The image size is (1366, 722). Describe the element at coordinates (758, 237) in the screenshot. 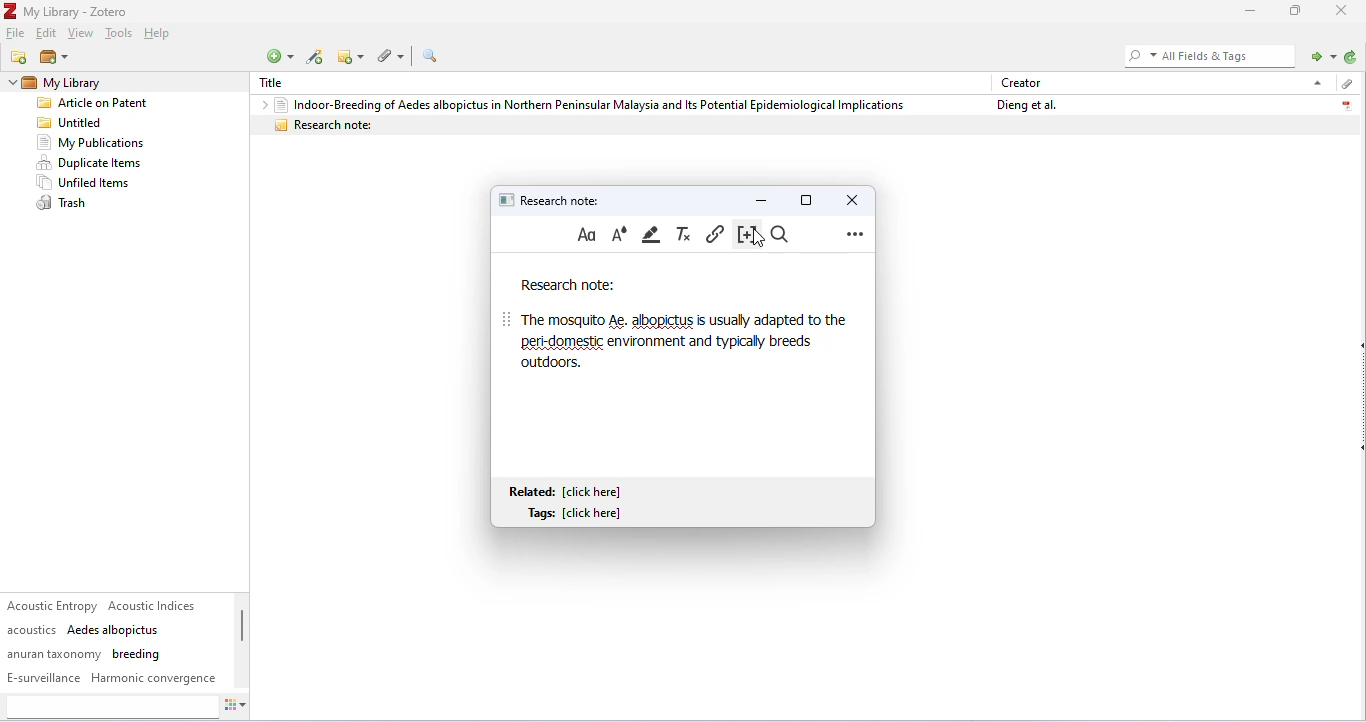

I see `cursor movement` at that location.